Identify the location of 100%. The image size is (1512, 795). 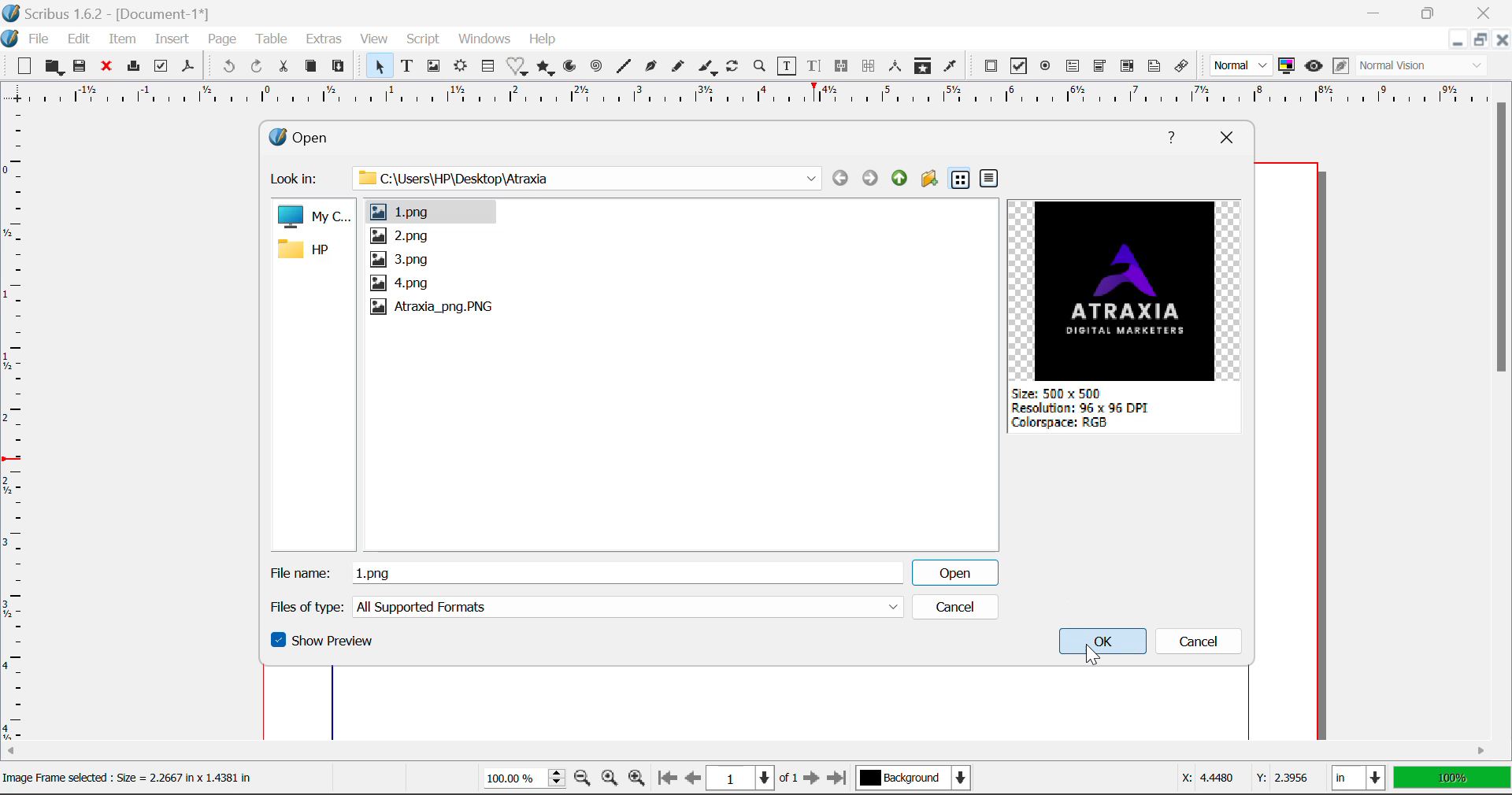
(520, 780).